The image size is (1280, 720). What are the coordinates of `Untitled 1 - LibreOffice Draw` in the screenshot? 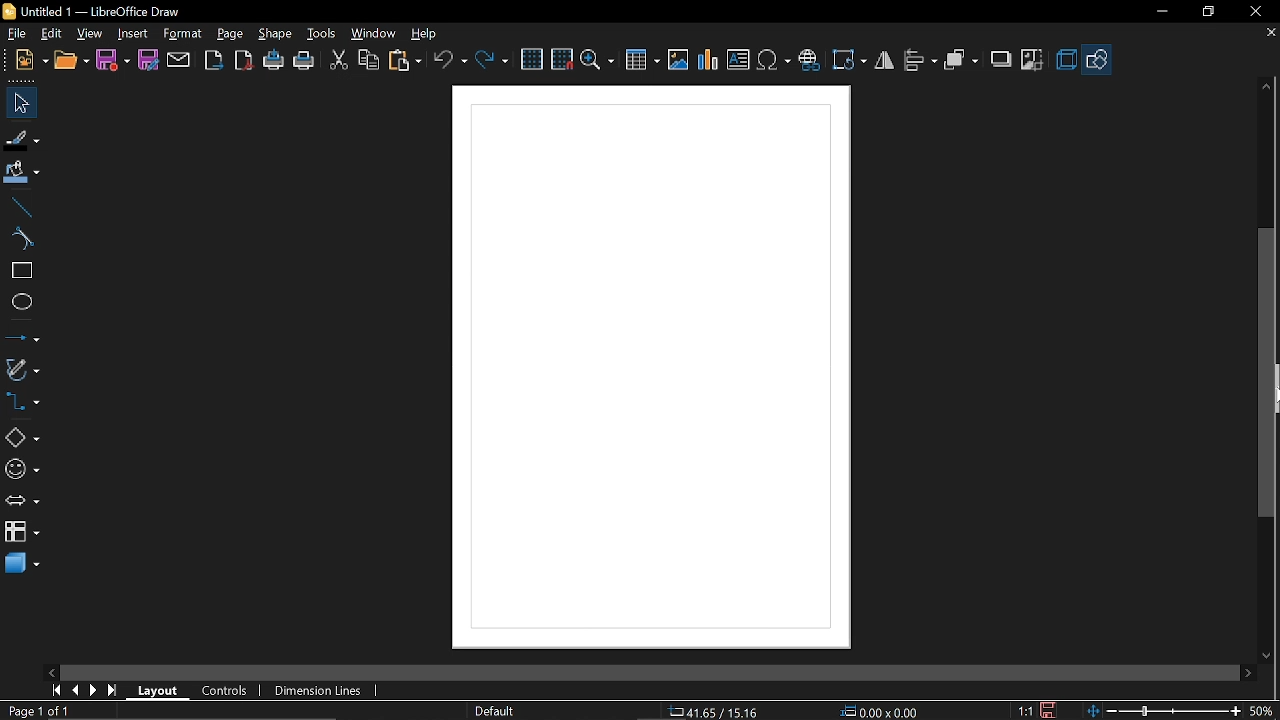 It's located at (95, 10).